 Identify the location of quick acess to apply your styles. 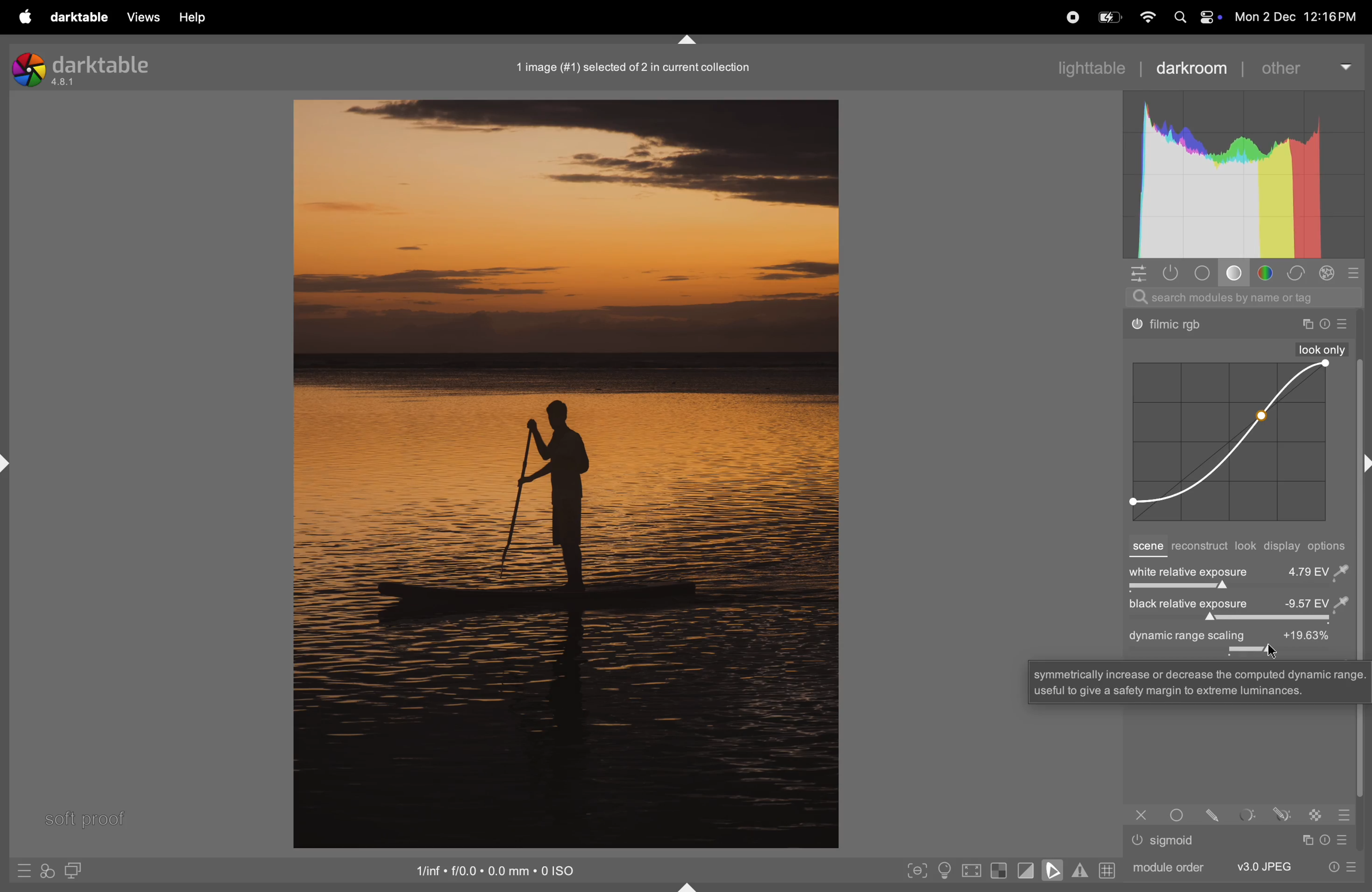
(46, 871).